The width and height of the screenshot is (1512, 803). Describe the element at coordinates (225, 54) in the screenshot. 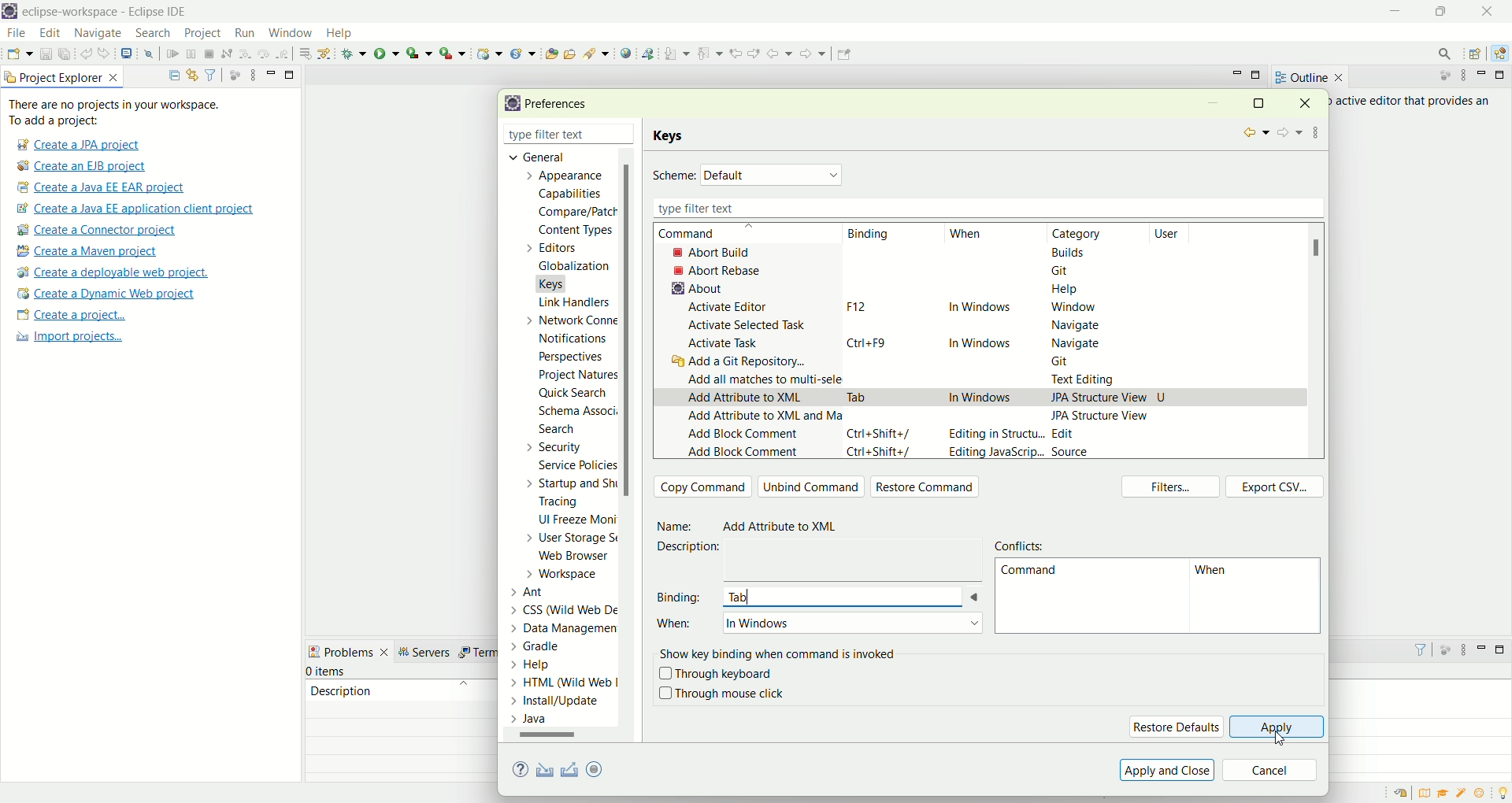

I see `disconnect` at that location.